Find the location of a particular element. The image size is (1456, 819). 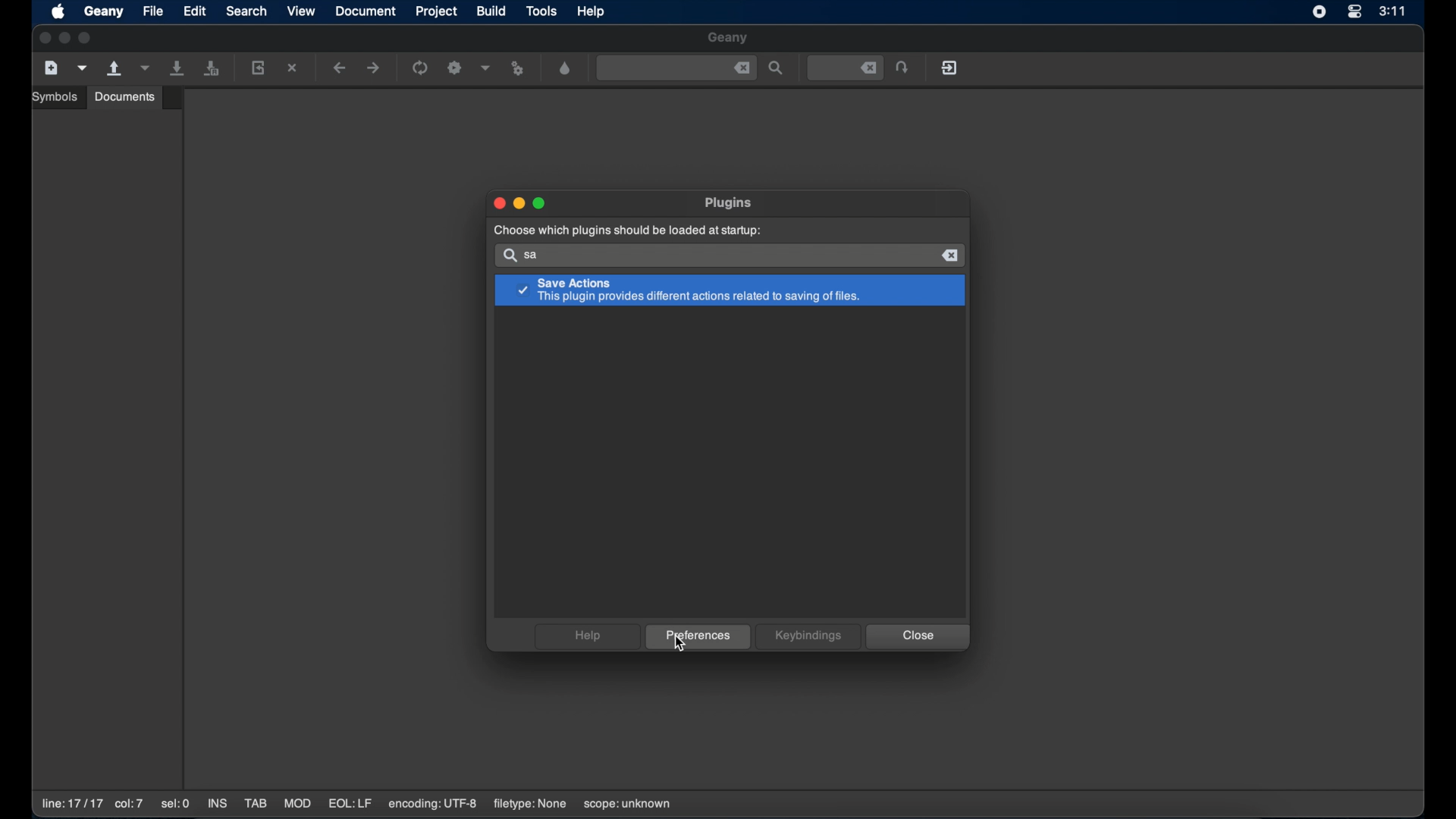

minimize is located at coordinates (520, 204).